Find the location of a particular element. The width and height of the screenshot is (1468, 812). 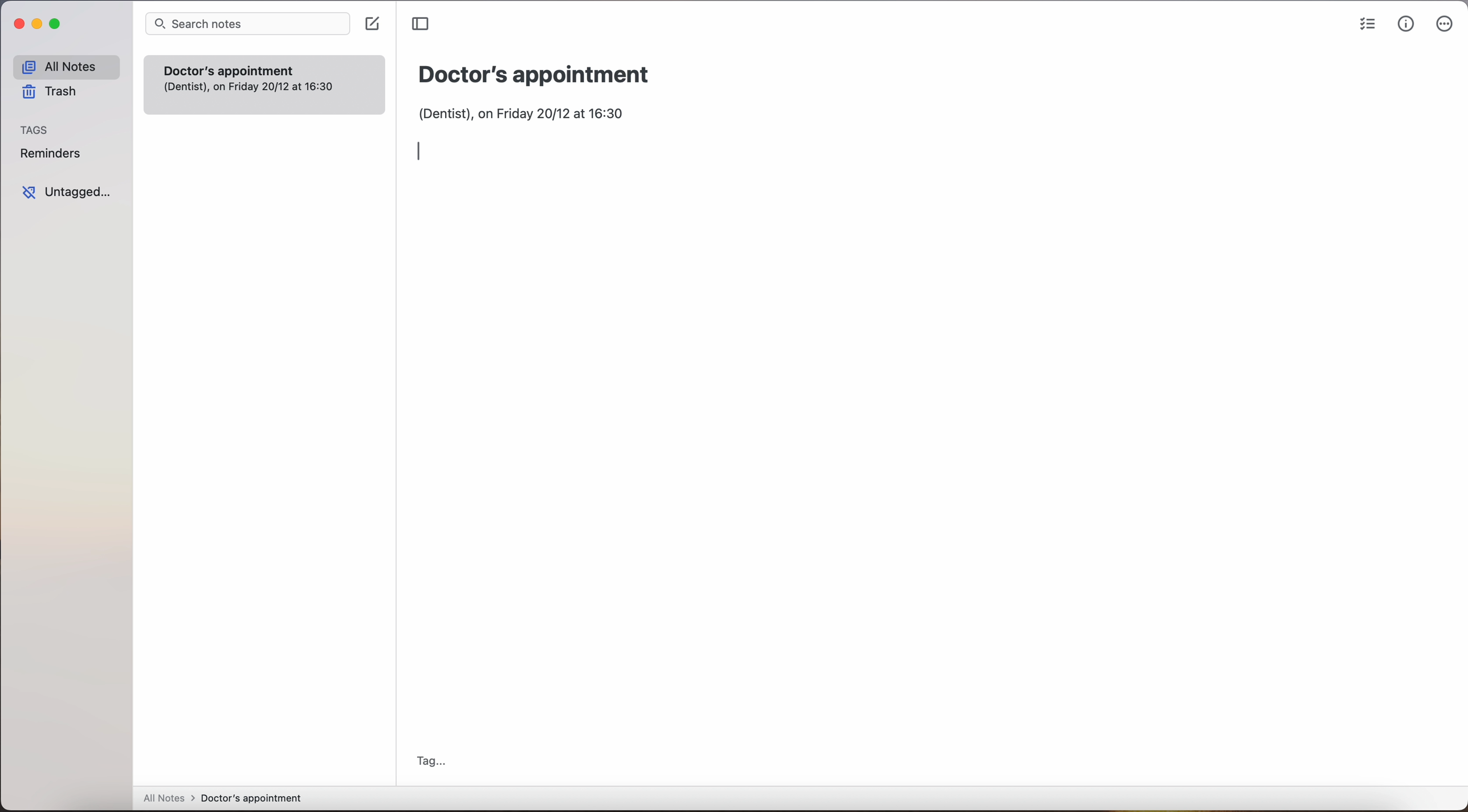

tag is located at coordinates (430, 761).